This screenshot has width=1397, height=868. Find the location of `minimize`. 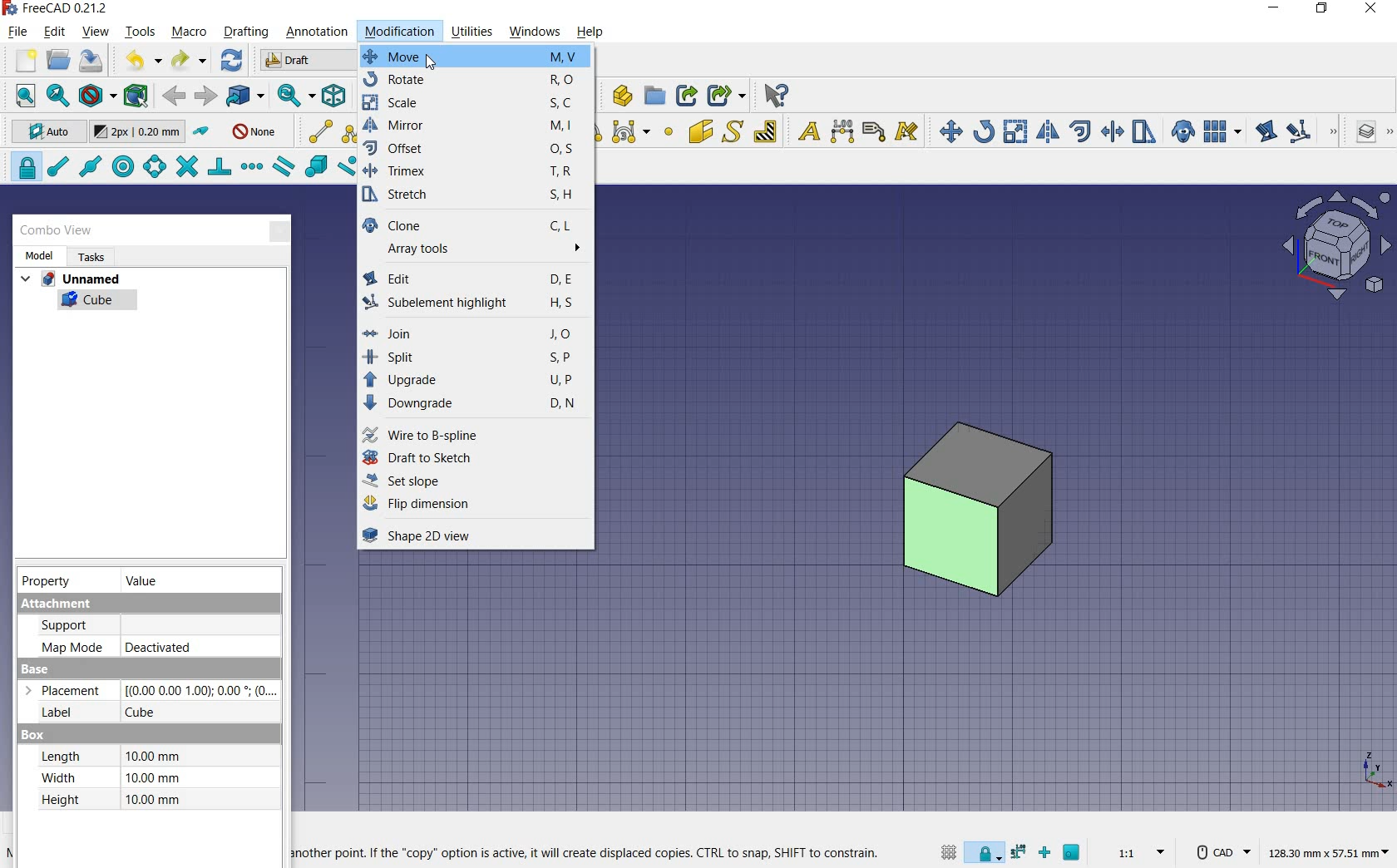

minimize is located at coordinates (1275, 10).